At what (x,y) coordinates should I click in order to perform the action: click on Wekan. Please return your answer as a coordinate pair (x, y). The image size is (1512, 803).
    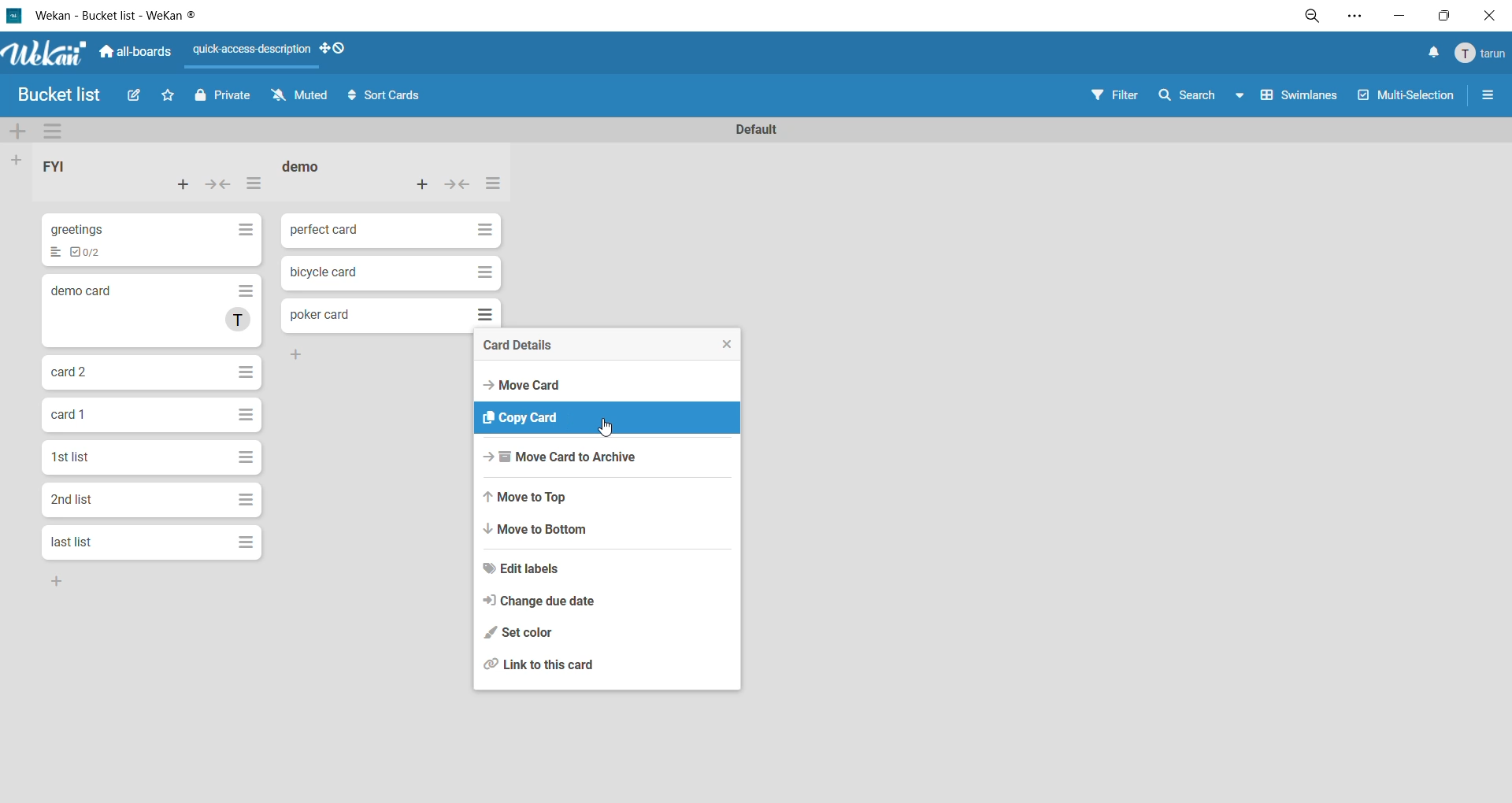
    Looking at the image, I should click on (42, 51).